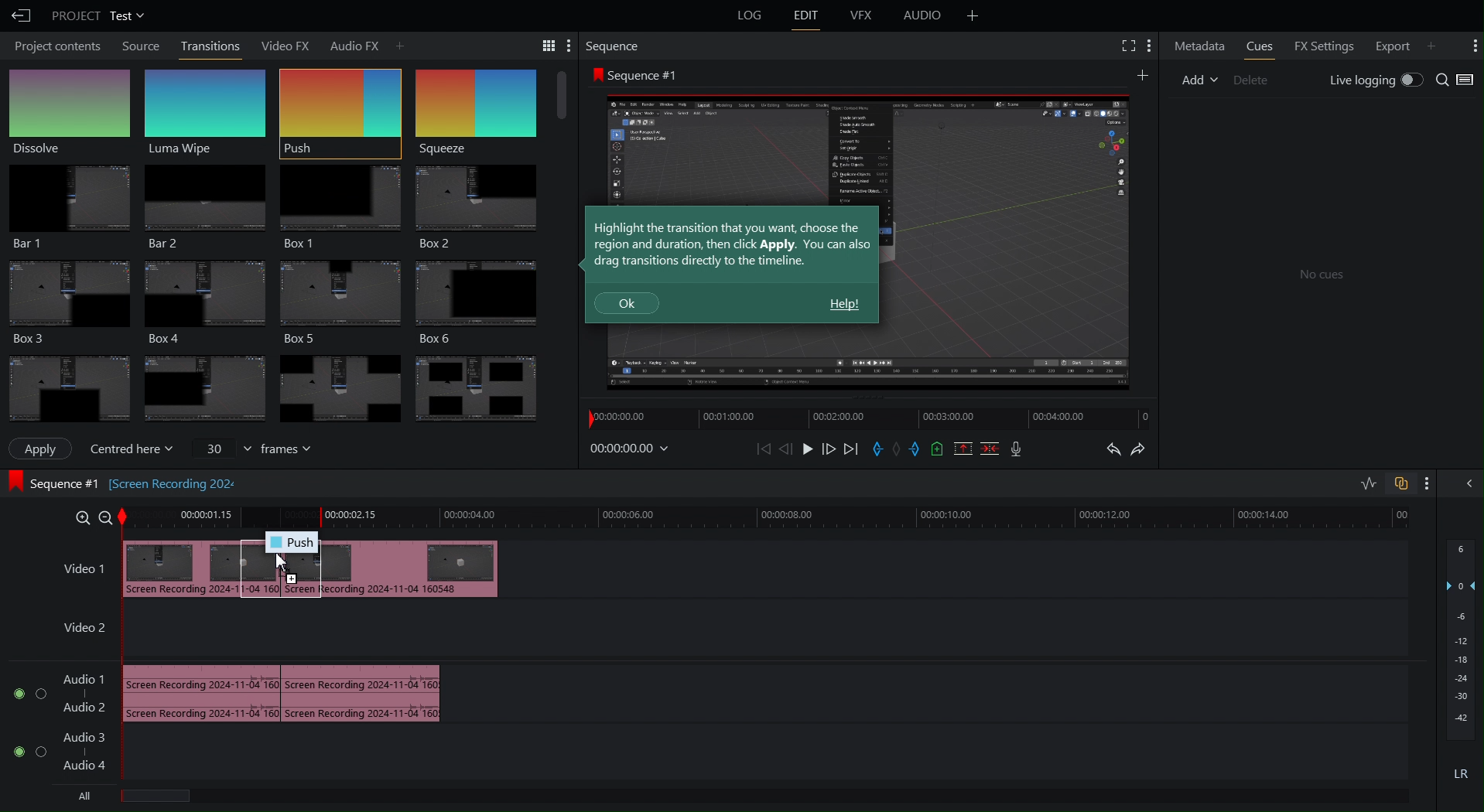 The image size is (1484, 812). What do you see at coordinates (809, 16) in the screenshot?
I see `Edit` at bounding box center [809, 16].